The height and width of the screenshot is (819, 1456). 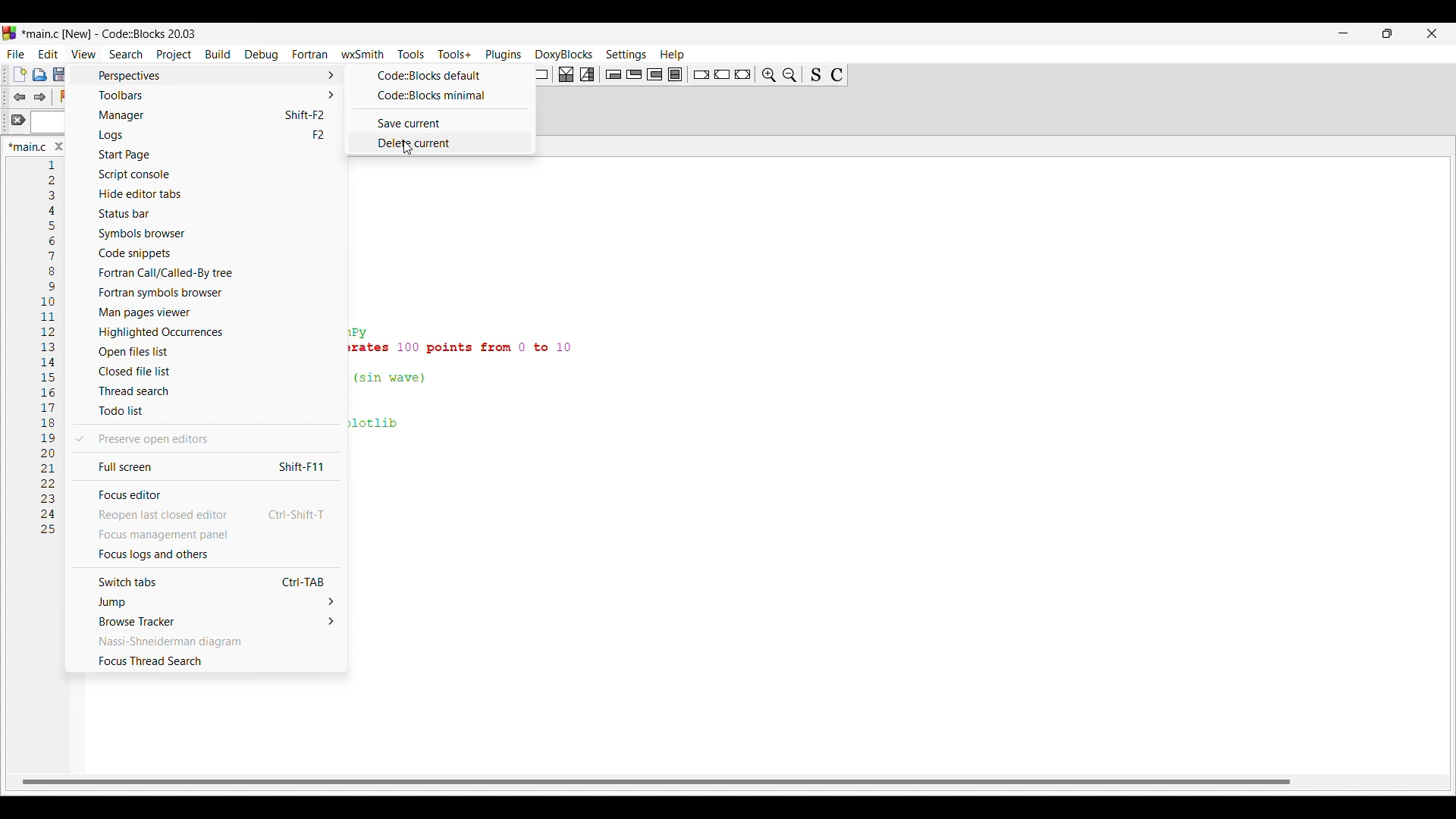 I want to click on Counting loop, so click(x=654, y=74).